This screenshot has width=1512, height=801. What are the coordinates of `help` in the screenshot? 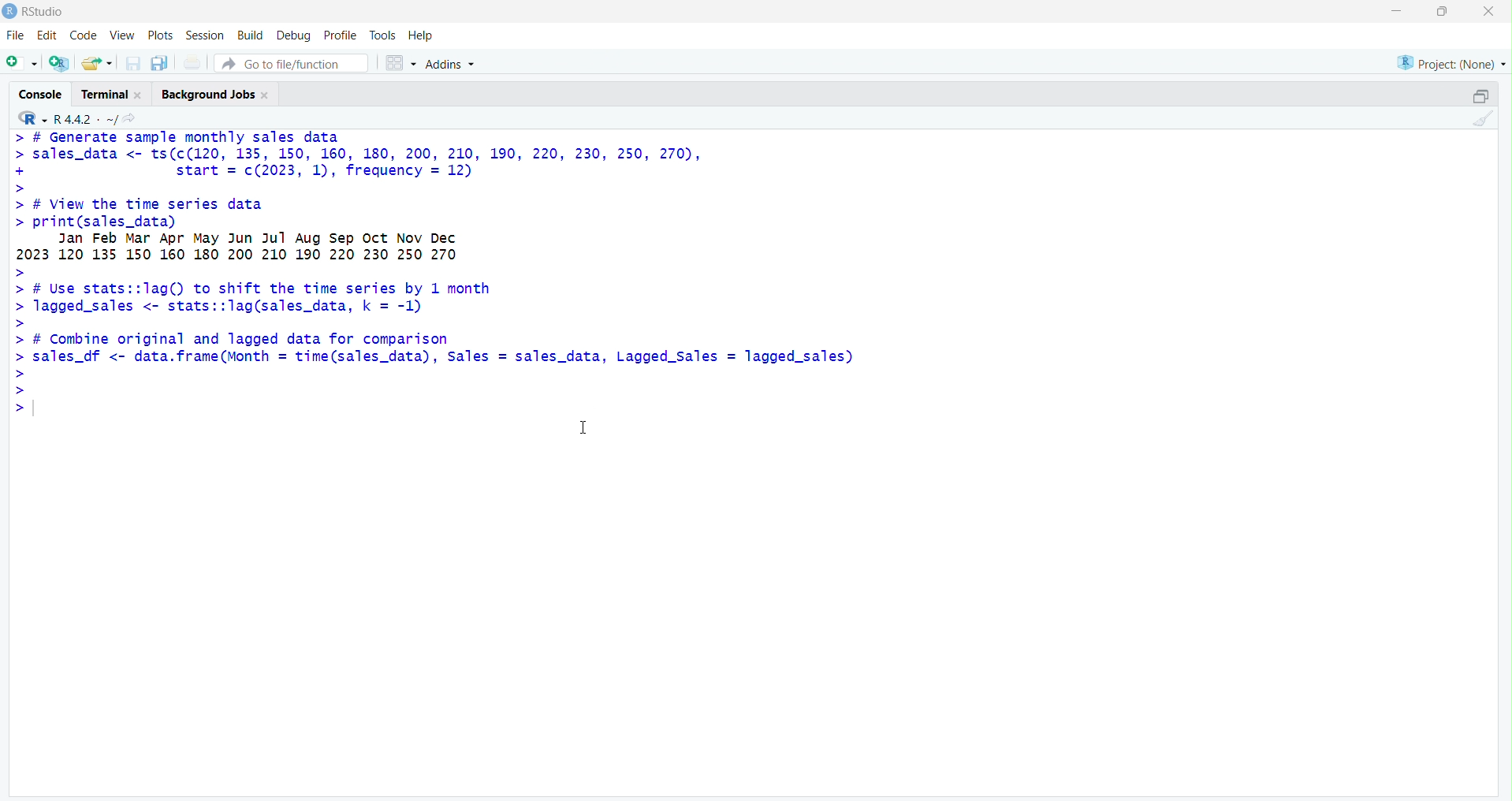 It's located at (423, 35).